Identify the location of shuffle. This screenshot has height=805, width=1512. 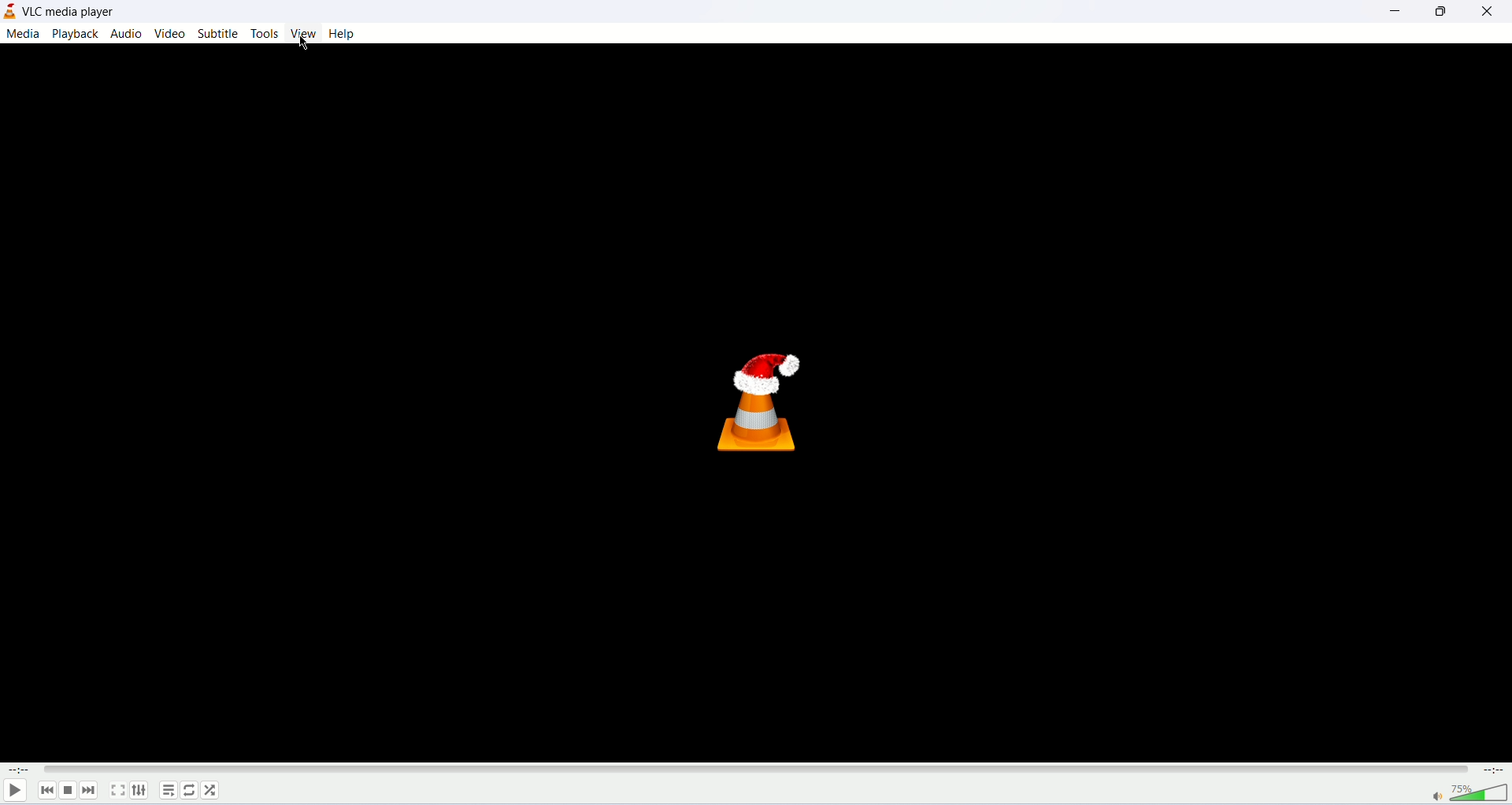
(214, 791).